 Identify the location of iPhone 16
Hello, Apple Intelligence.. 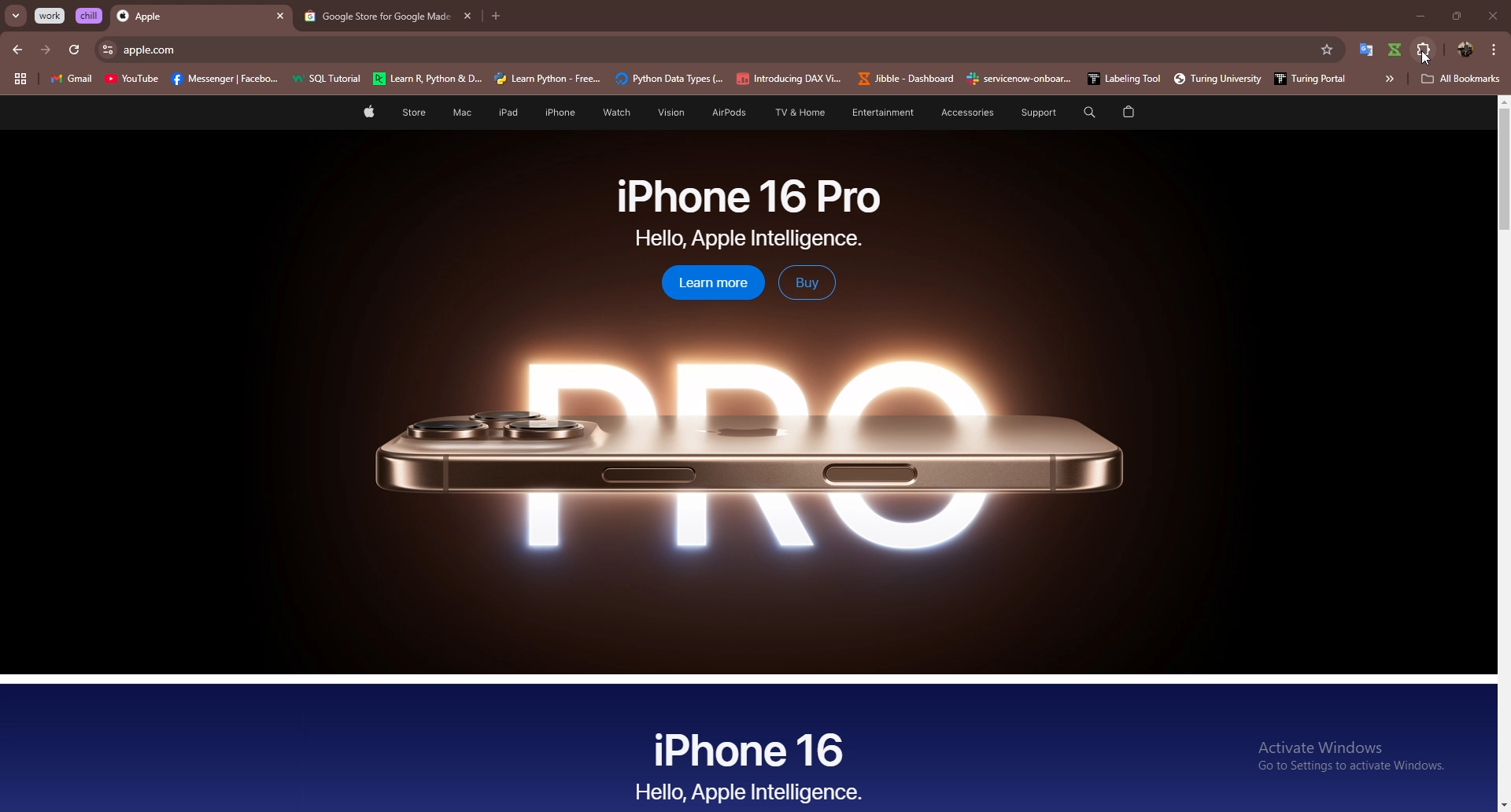
(750, 764).